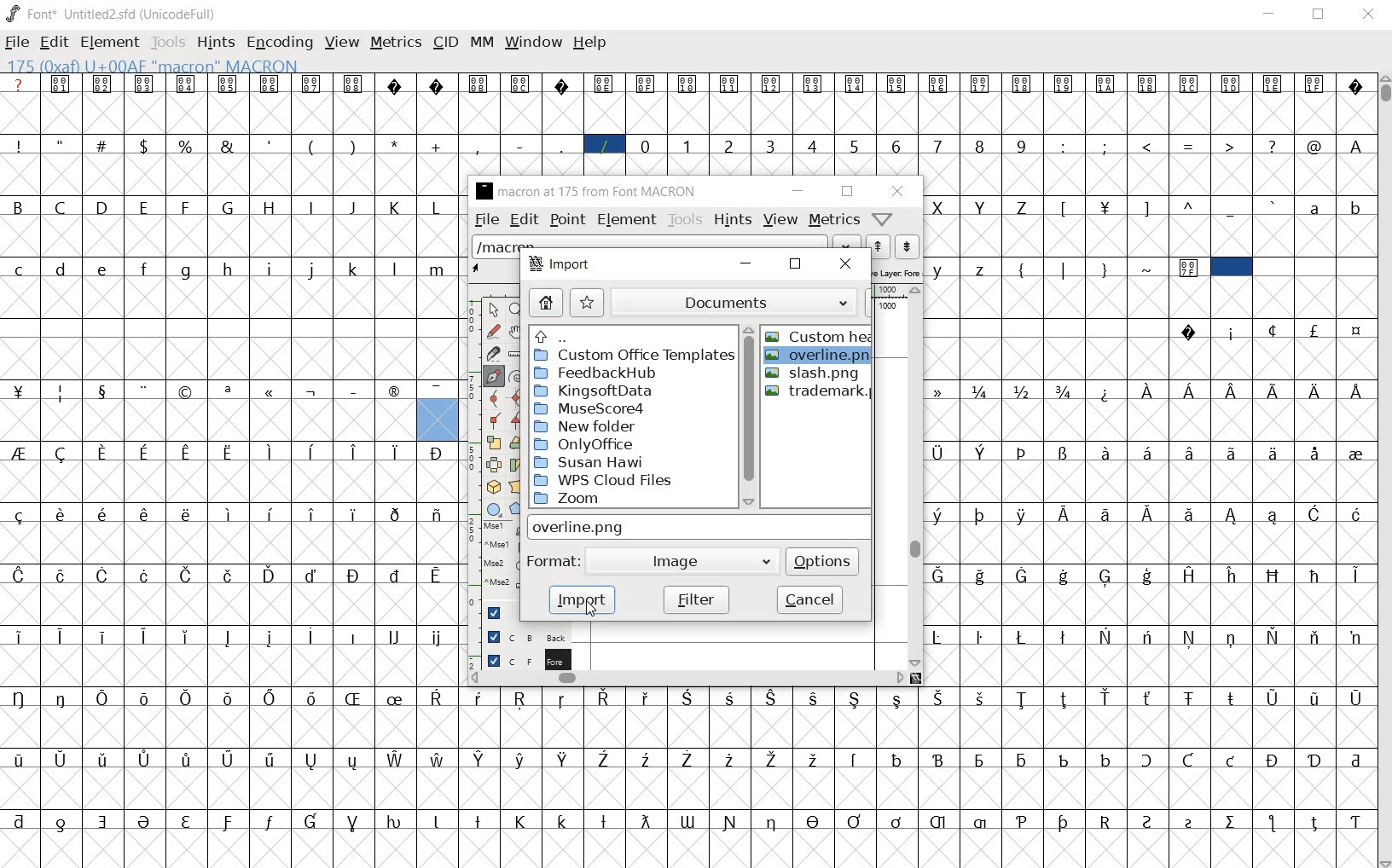 Image resolution: width=1392 pixels, height=868 pixels. Describe the element at coordinates (230, 208) in the screenshot. I see `G` at that location.